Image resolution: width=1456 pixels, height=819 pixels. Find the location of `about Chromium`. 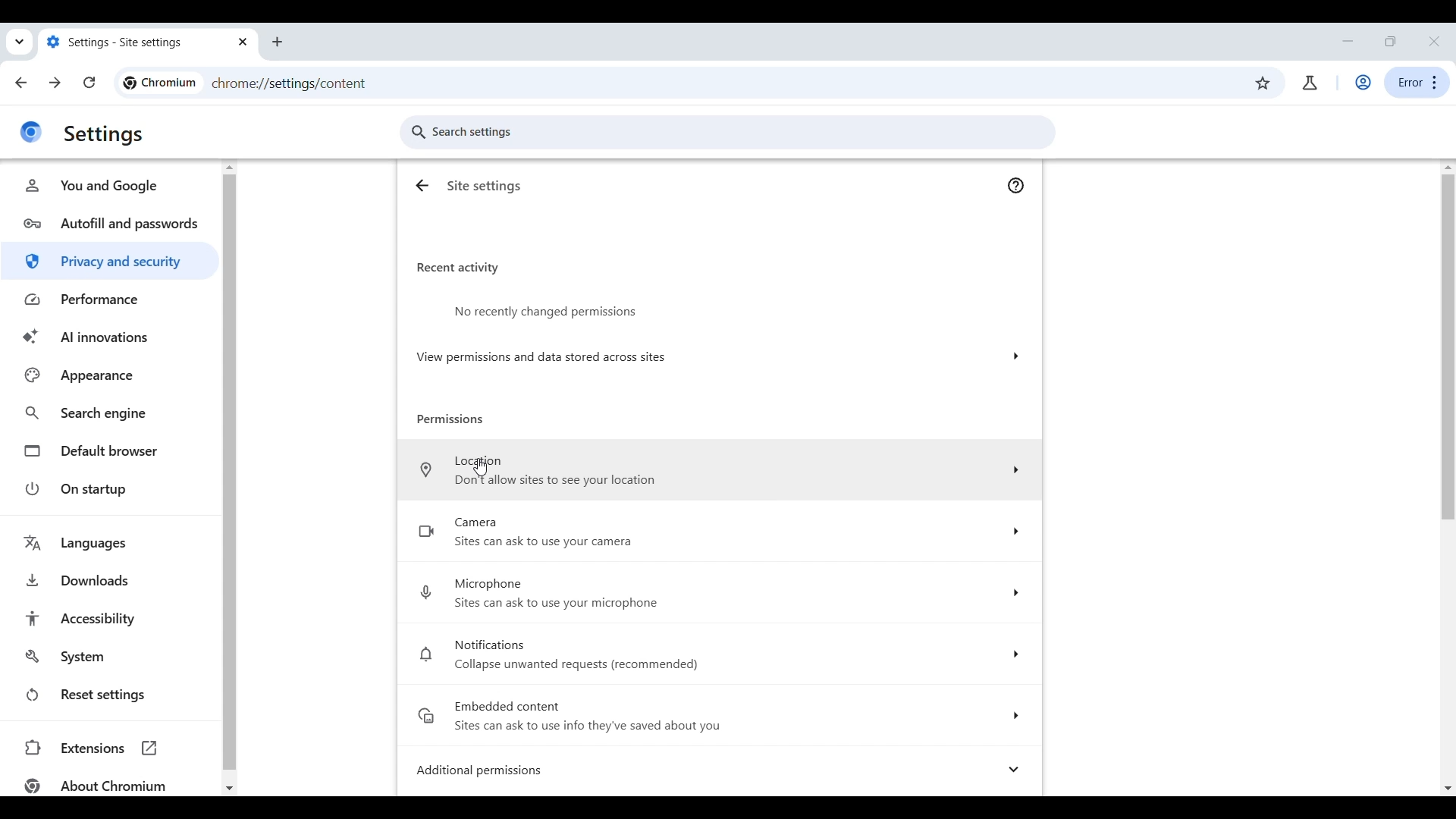

about Chromium is located at coordinates (92, 785).